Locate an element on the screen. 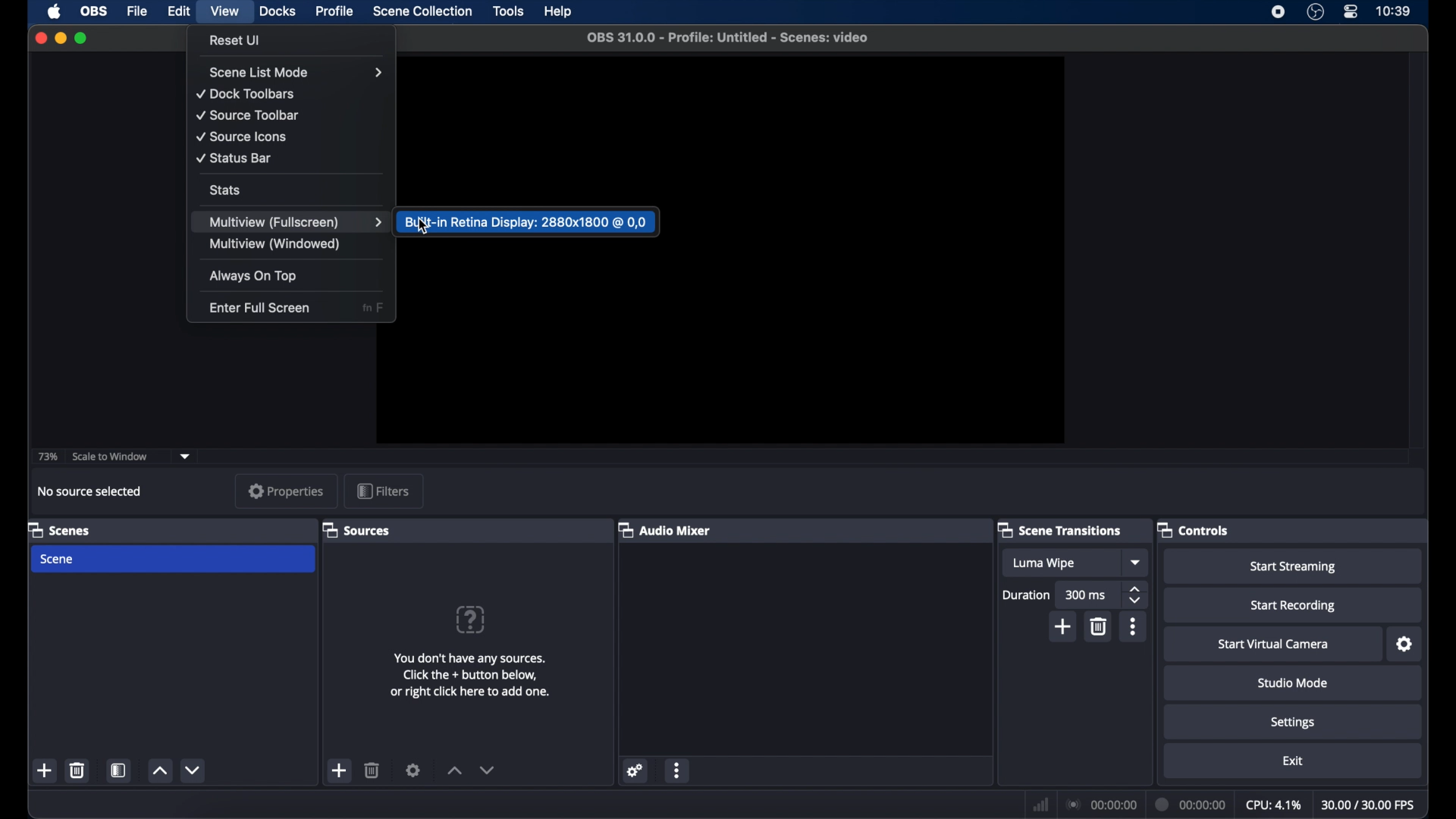 The image size is (1456, 819). enter fullscreen is located at coordinates (259, 309).